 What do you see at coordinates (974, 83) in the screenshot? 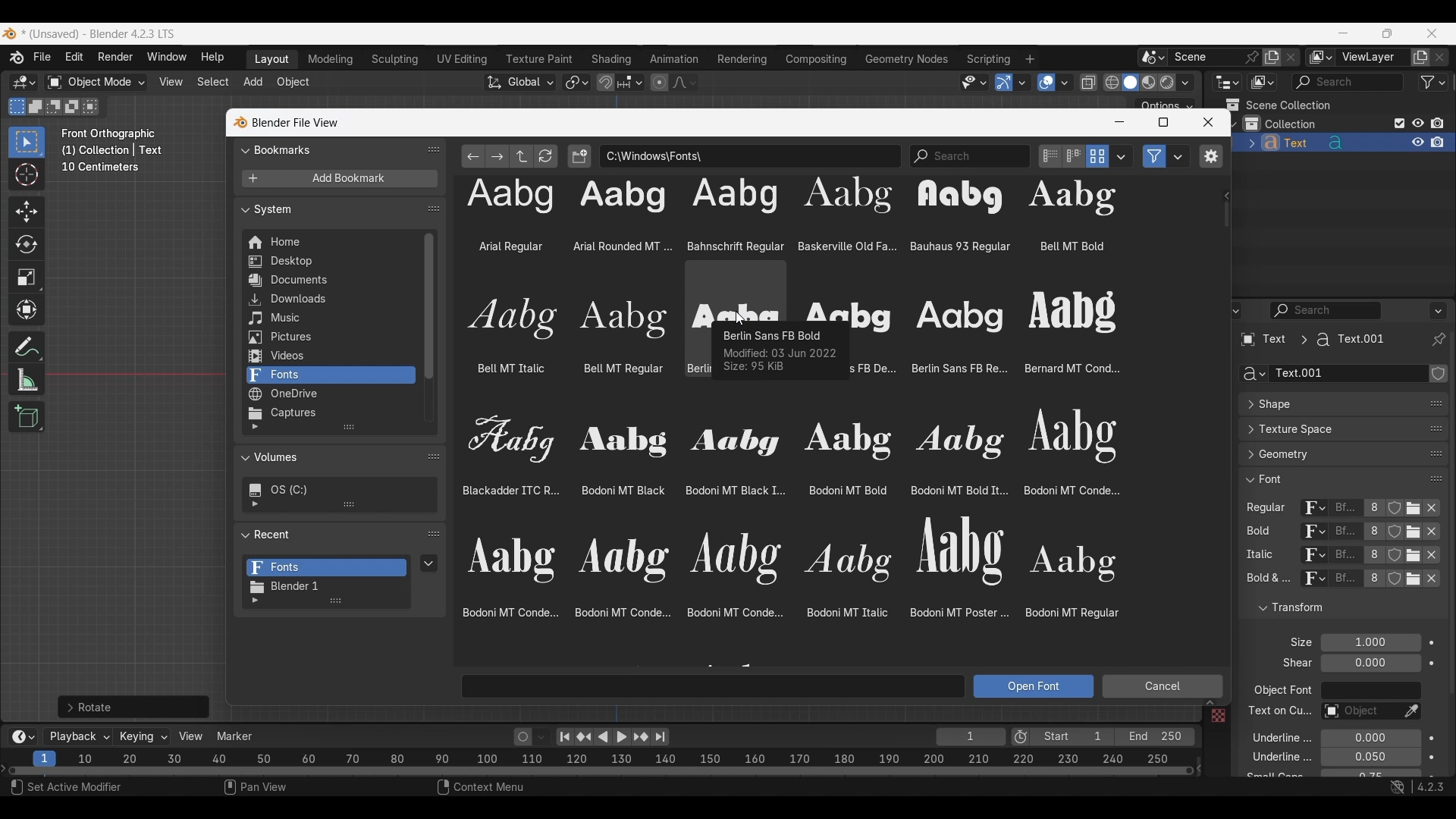
I see `Selectability and visibility` at bounding box center [974, 83].